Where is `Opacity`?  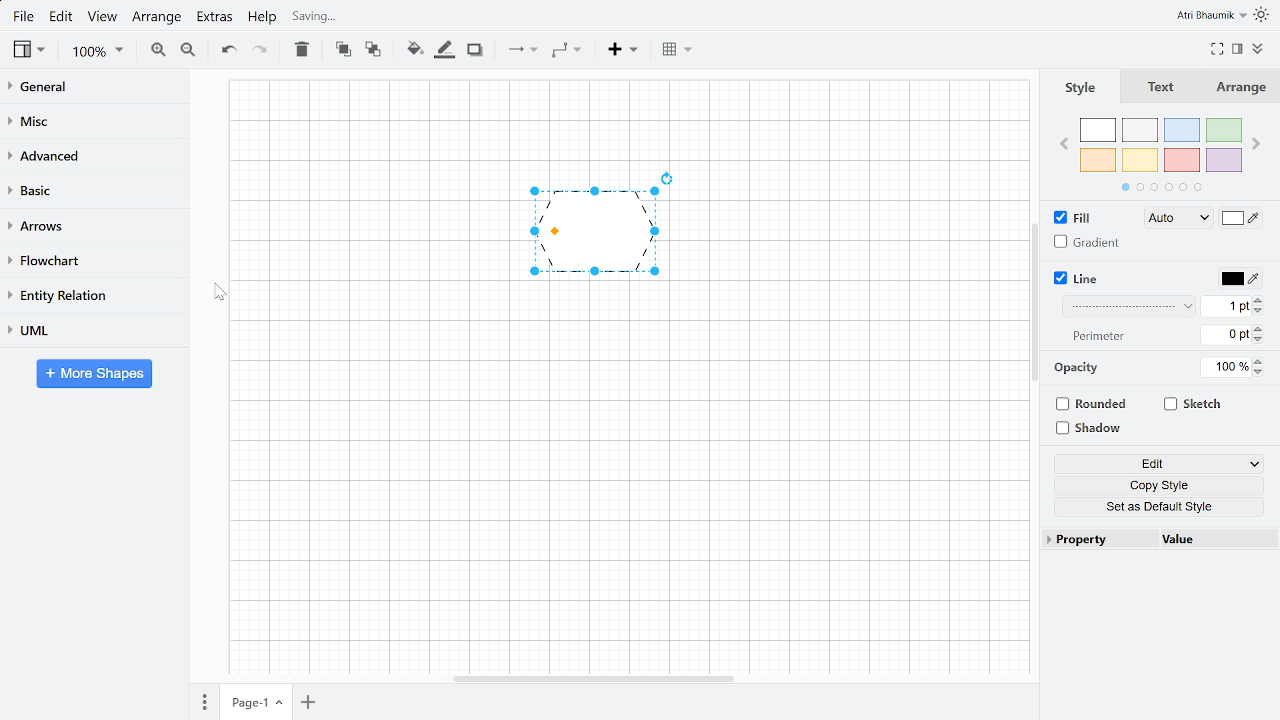
Opacity is located at coordinates (1076, 368).